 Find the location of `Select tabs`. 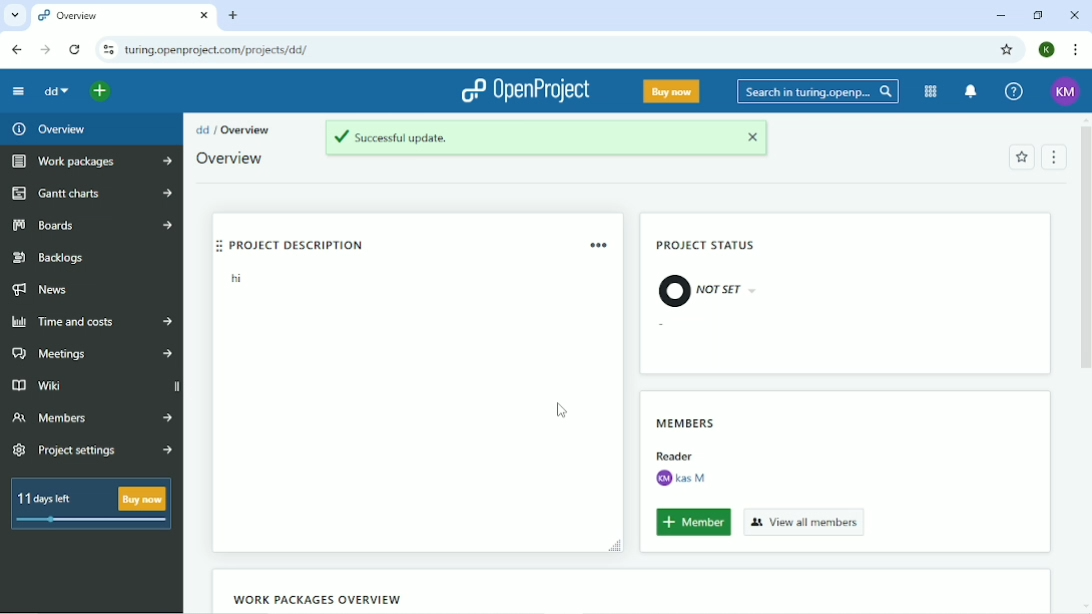

Select tabs is located at coordinates (14, 15).